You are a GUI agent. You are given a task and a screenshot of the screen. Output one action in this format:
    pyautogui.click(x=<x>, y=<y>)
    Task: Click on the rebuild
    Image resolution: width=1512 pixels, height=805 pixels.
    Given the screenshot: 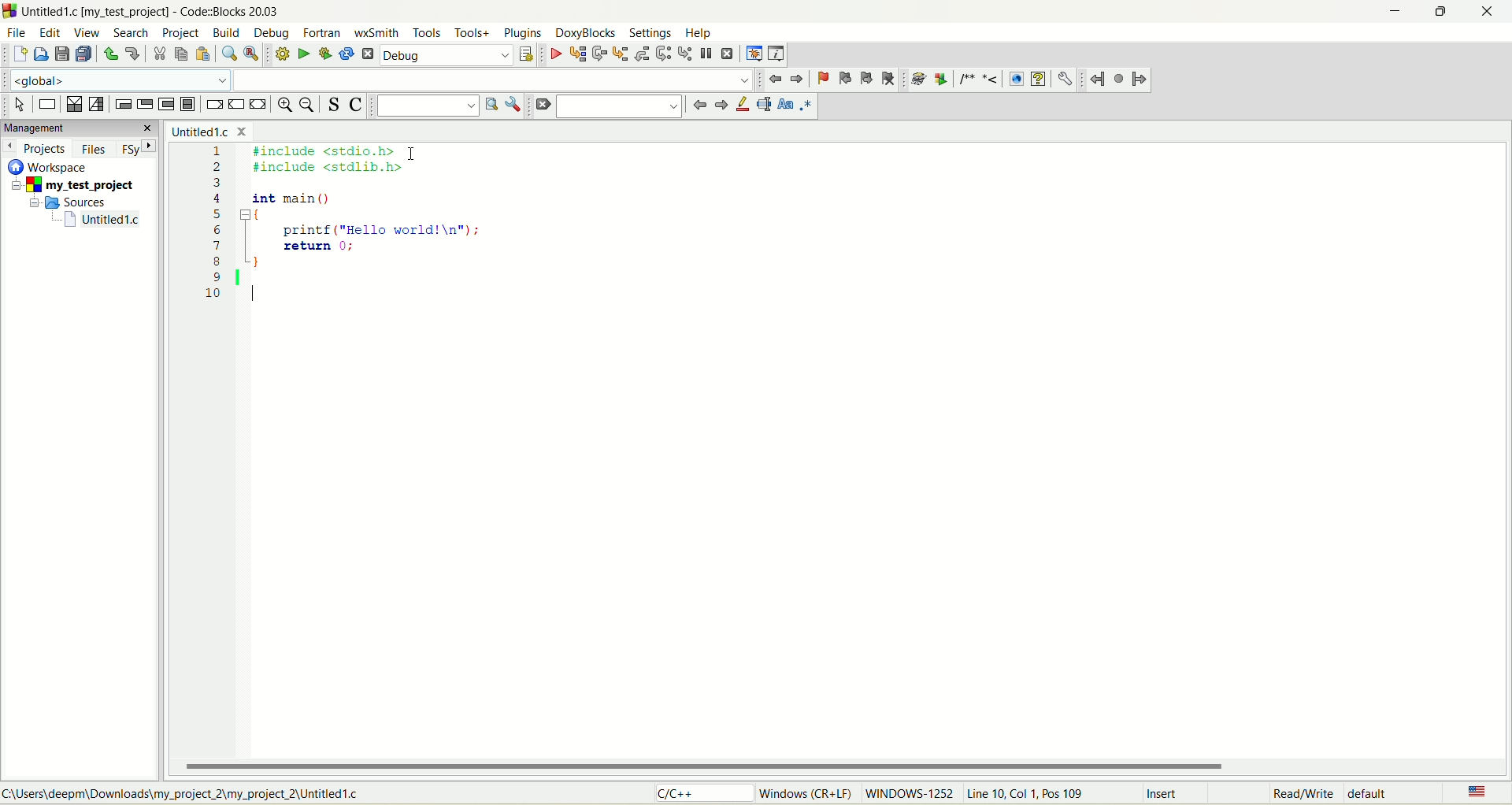 What is the action you would take?
    pyautogui.click(x=347, y=53)
    